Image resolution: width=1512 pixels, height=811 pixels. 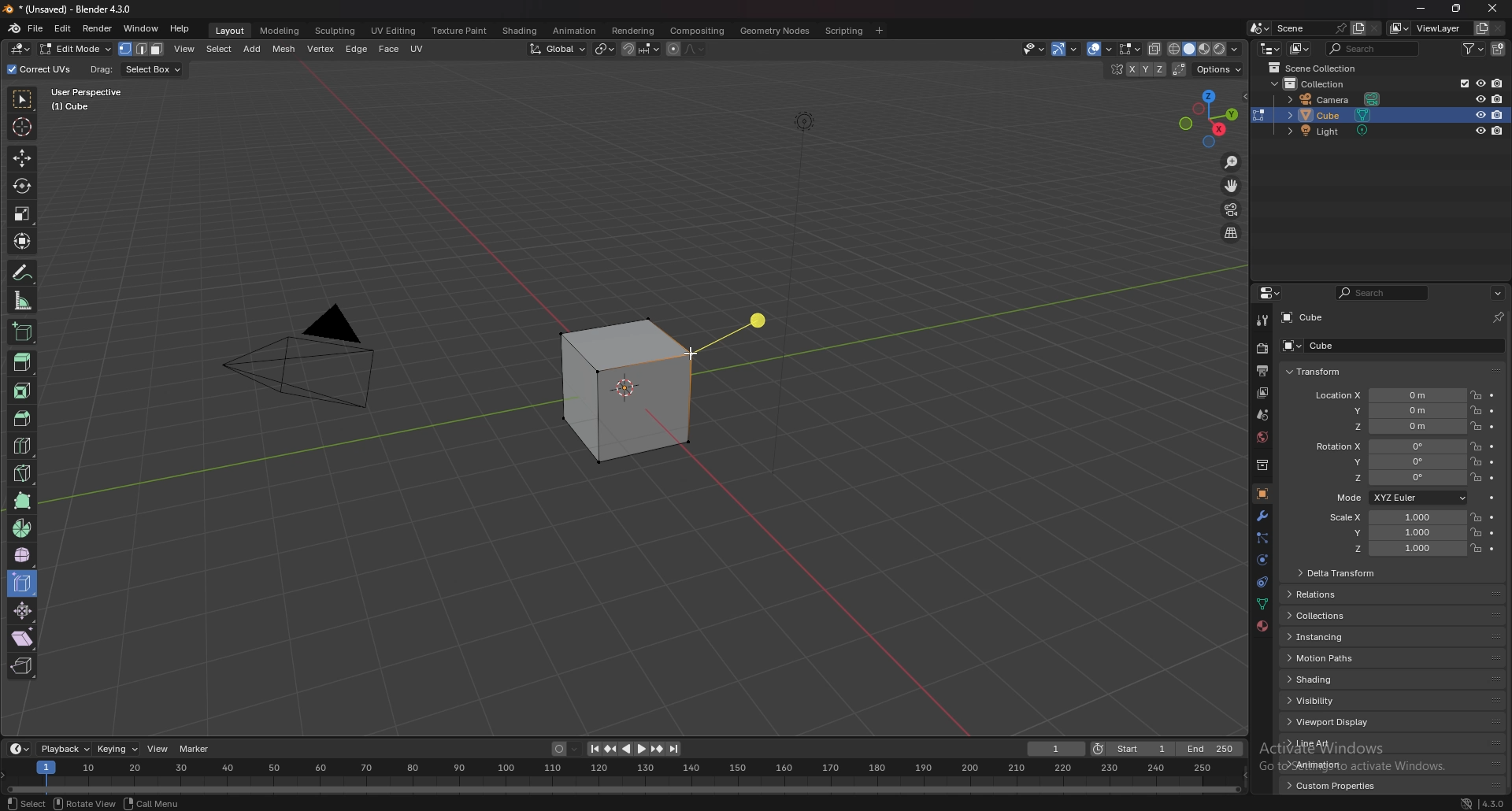 What do you see at coordinates (231, 31) in the screenshot?
I see `layout` at bounding box center [231, 31].